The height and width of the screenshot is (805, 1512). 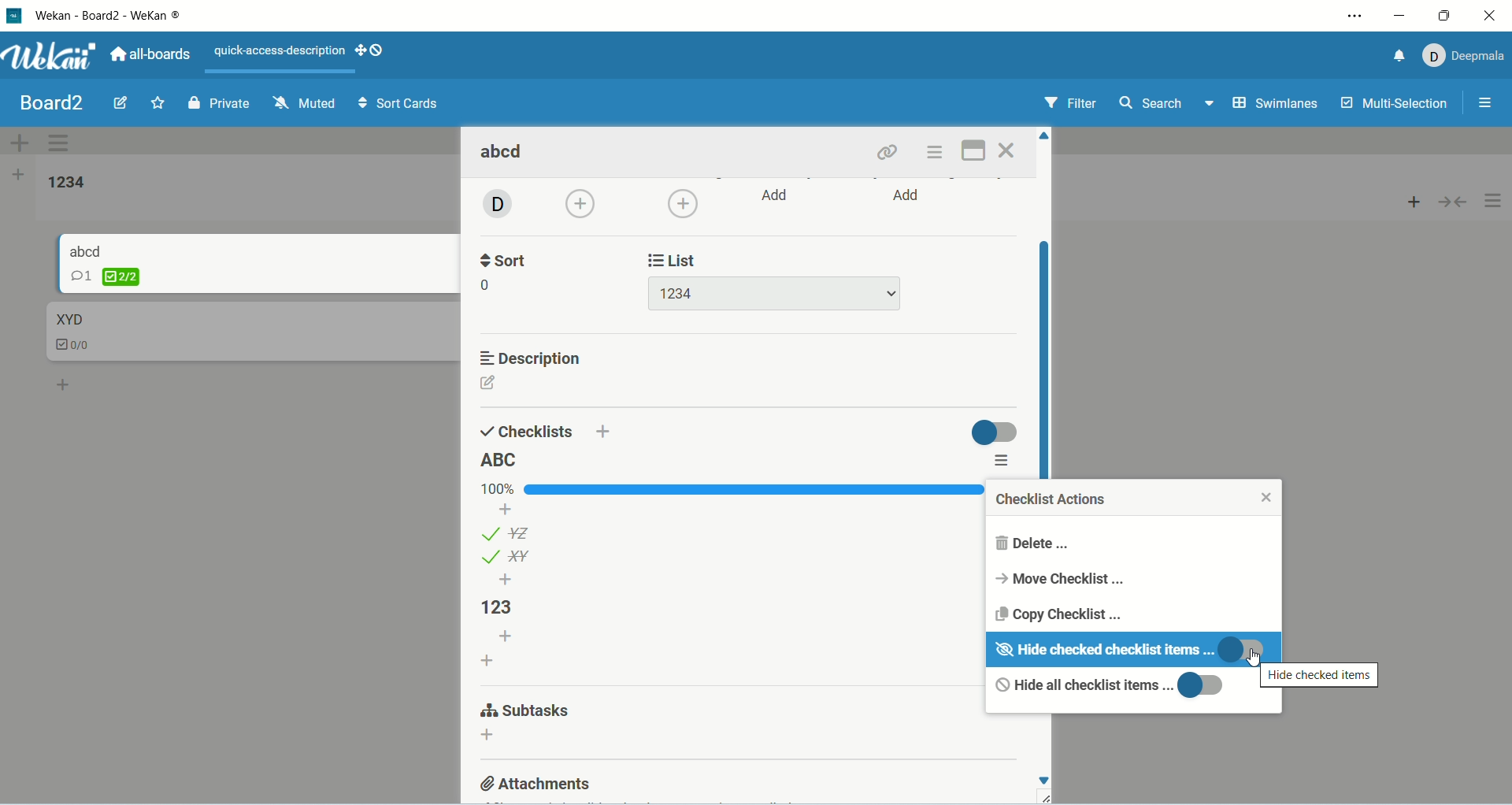 I want to click on add list, so click(x=20, y=175).